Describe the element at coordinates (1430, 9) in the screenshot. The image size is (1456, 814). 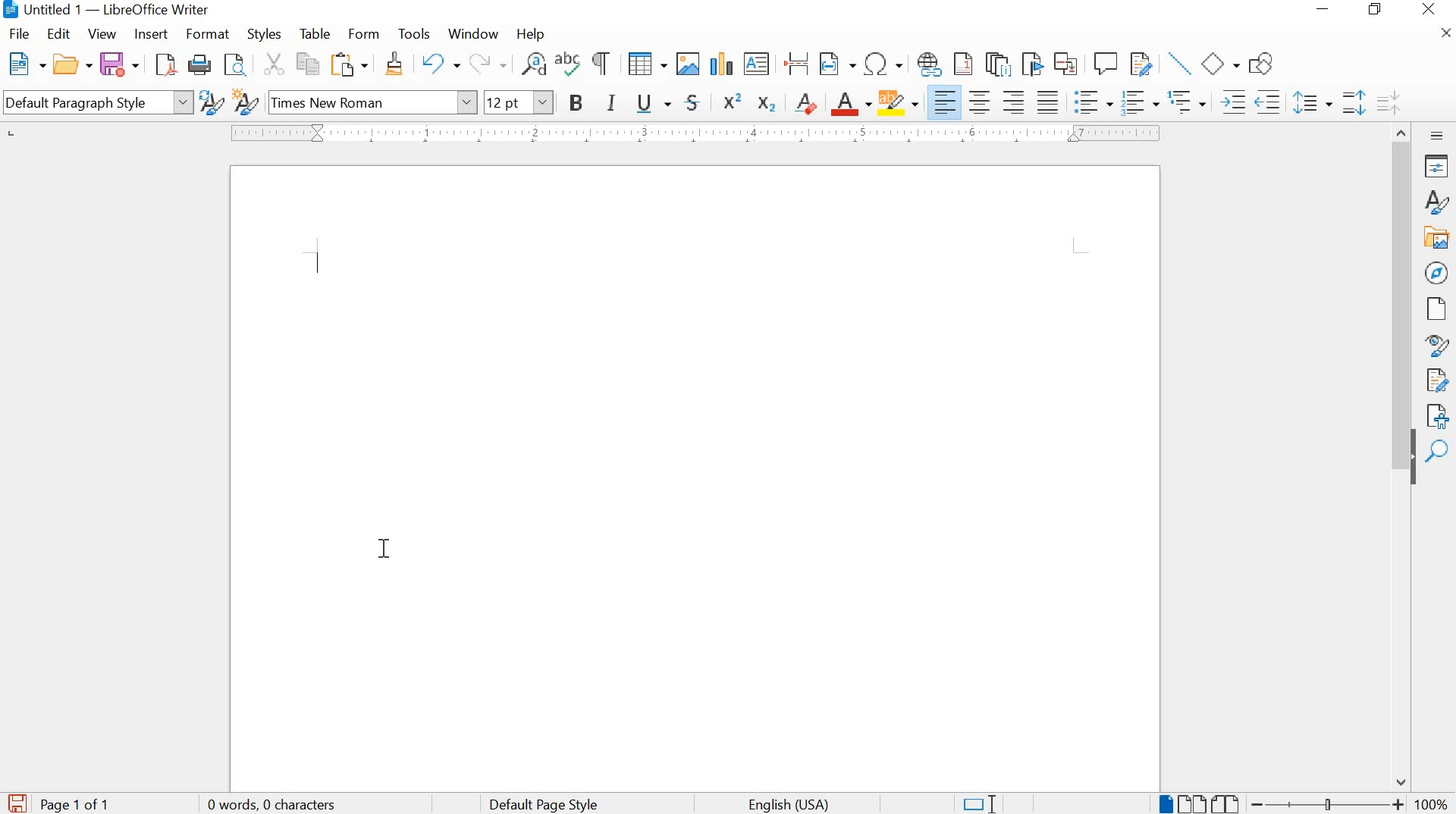
I see `CLOSE` at that location.